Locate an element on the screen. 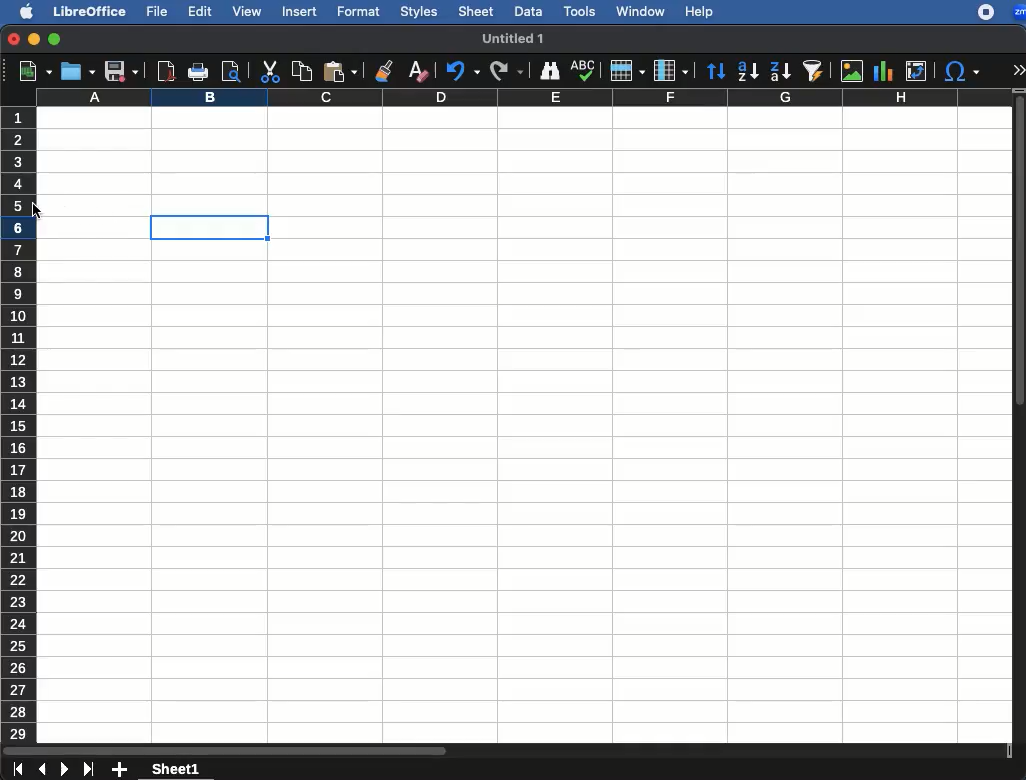 Image resolution: width=1026 pixels, height=780 pixels. view is located at coordinates (246, 12).